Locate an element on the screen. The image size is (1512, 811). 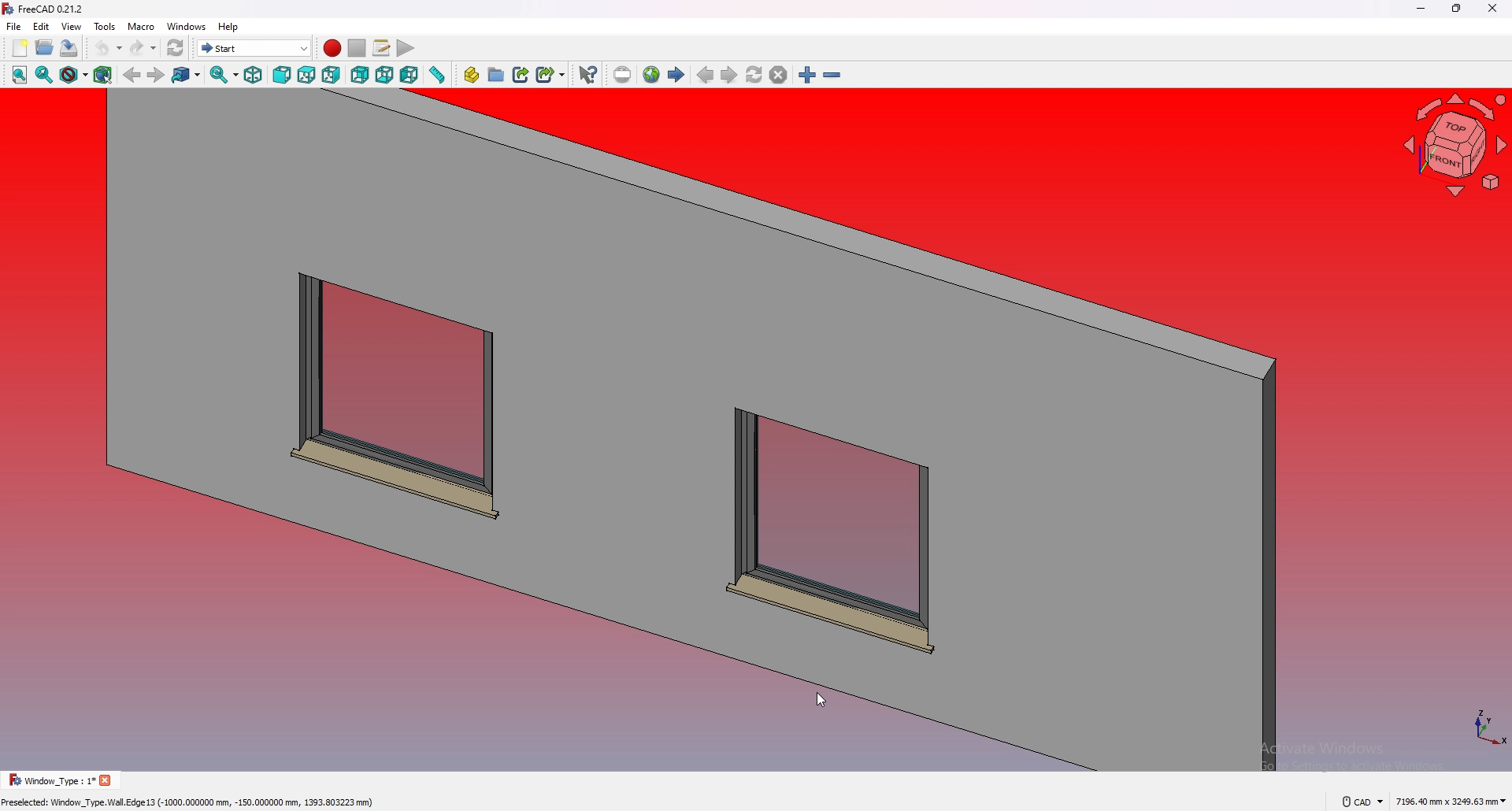
cursor is located at coordinates (819, 698).